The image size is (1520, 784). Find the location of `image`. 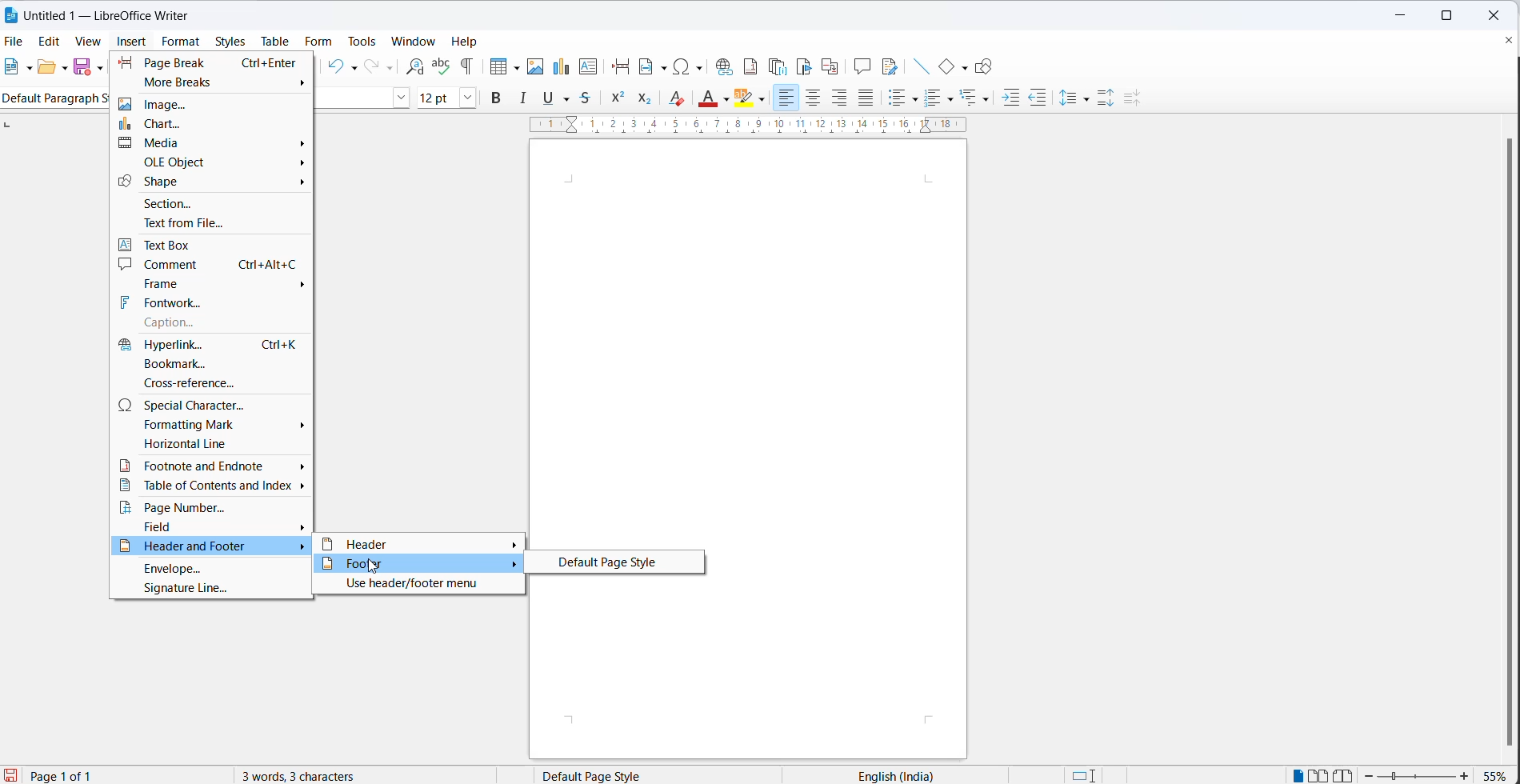

image is located at coordinates (214, 102).